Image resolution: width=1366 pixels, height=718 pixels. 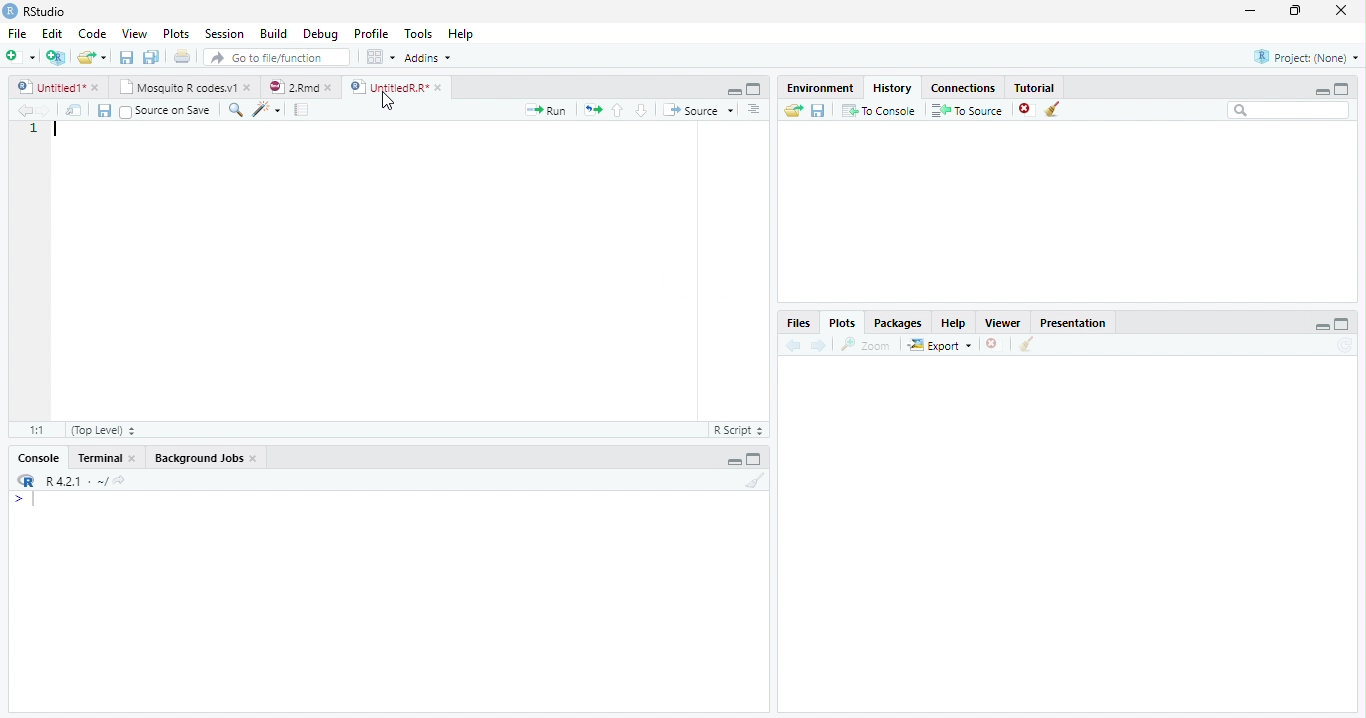 I want to click on Session, so click(x=224, y=33).